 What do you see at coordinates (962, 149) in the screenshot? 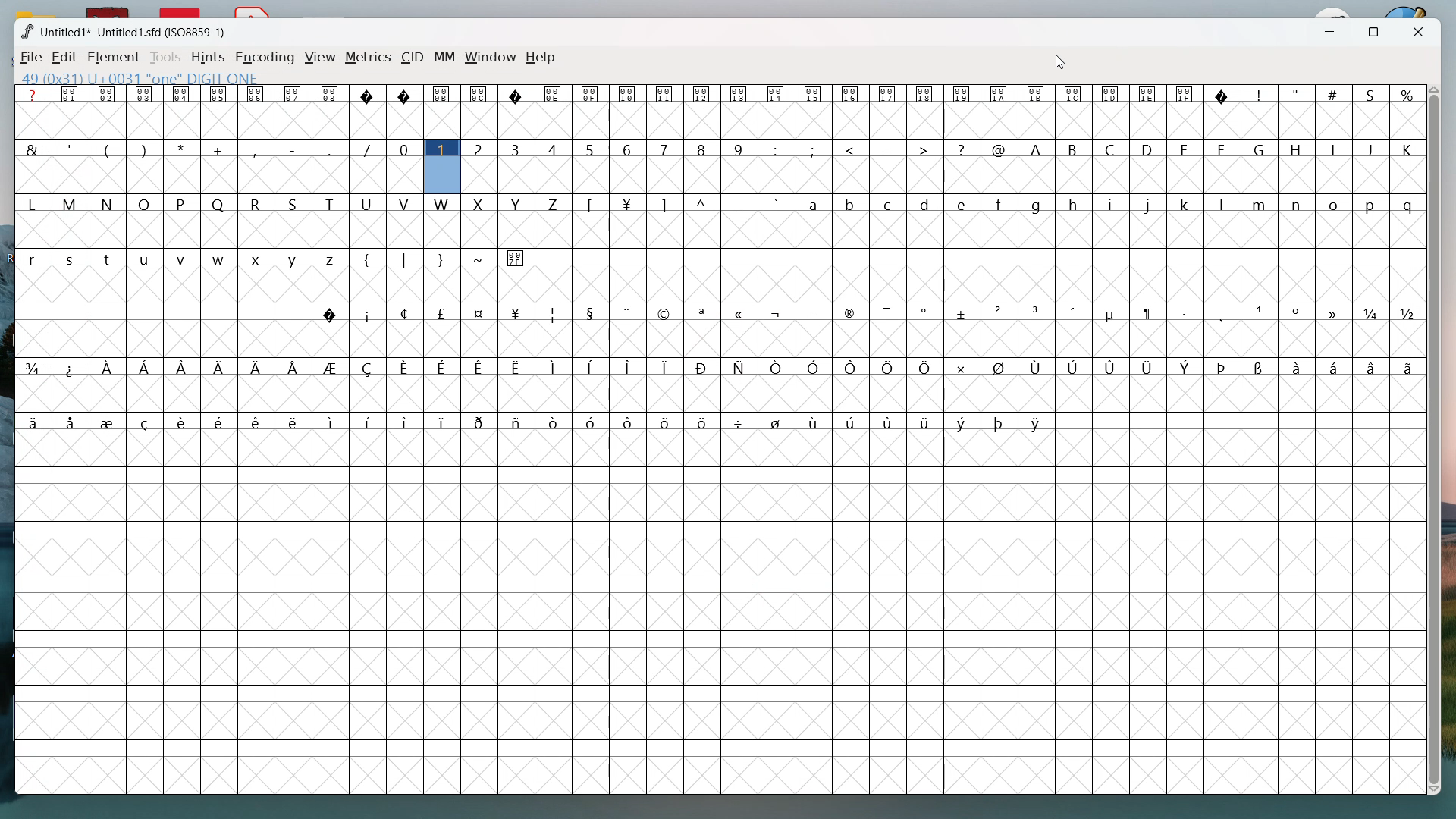
I see `?` at bounding box center [962, 149].